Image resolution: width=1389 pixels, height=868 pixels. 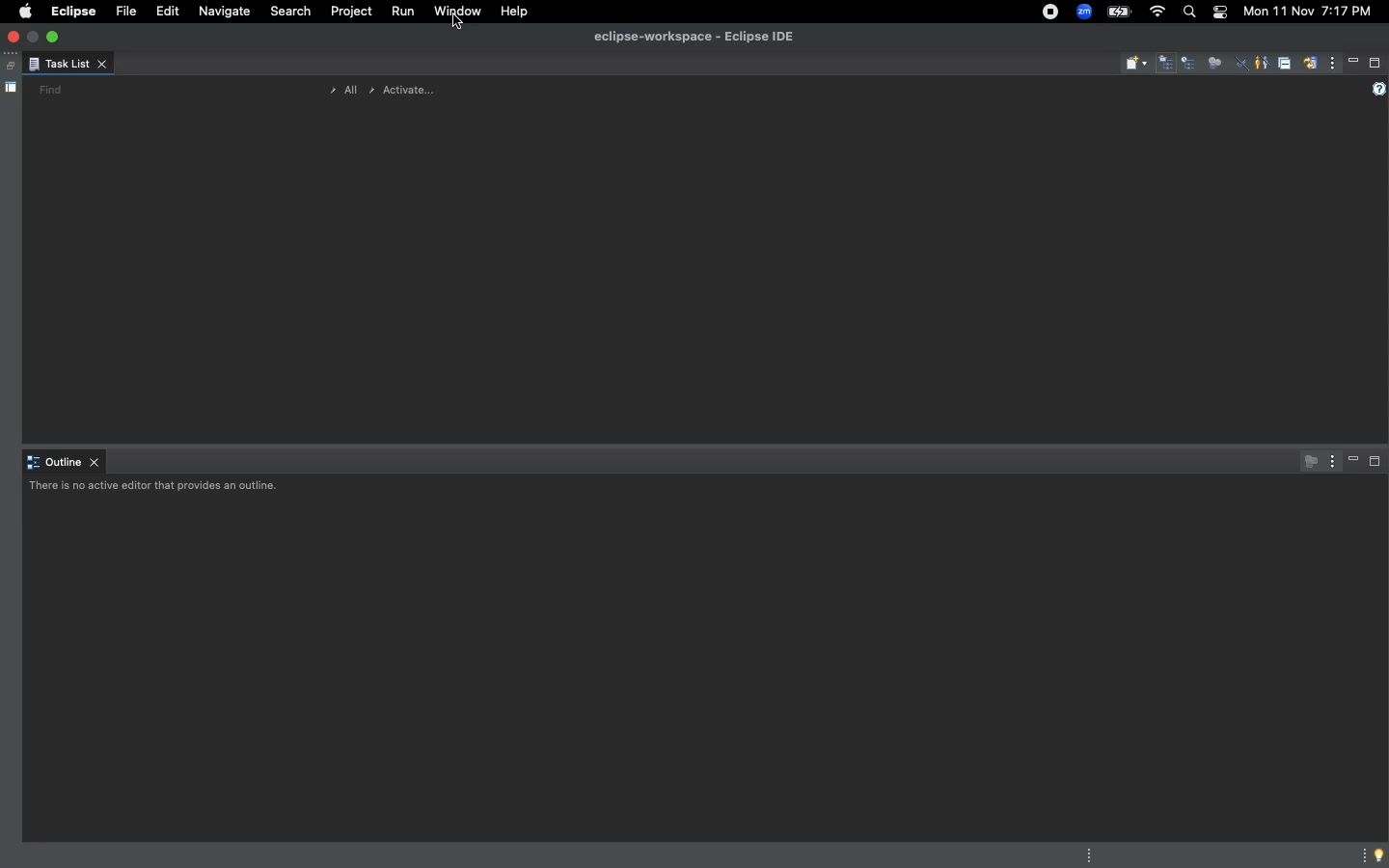 What do you see at coordinates (1360, 854) in the screenshot?
I see `more` at bounding box center [1360, 854].